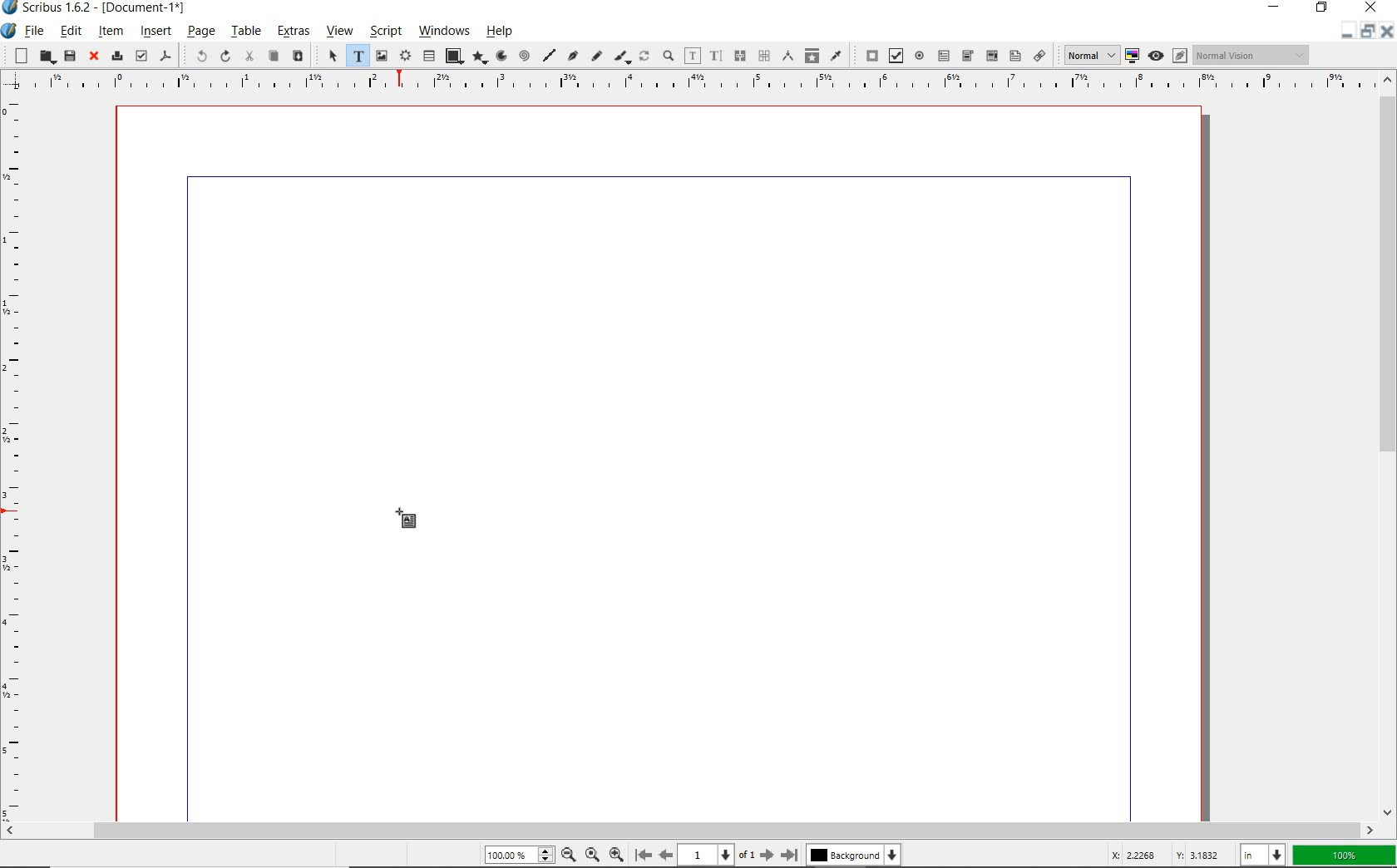 The image size is (1397, 868). I want to click on redo, so click(224, 56).